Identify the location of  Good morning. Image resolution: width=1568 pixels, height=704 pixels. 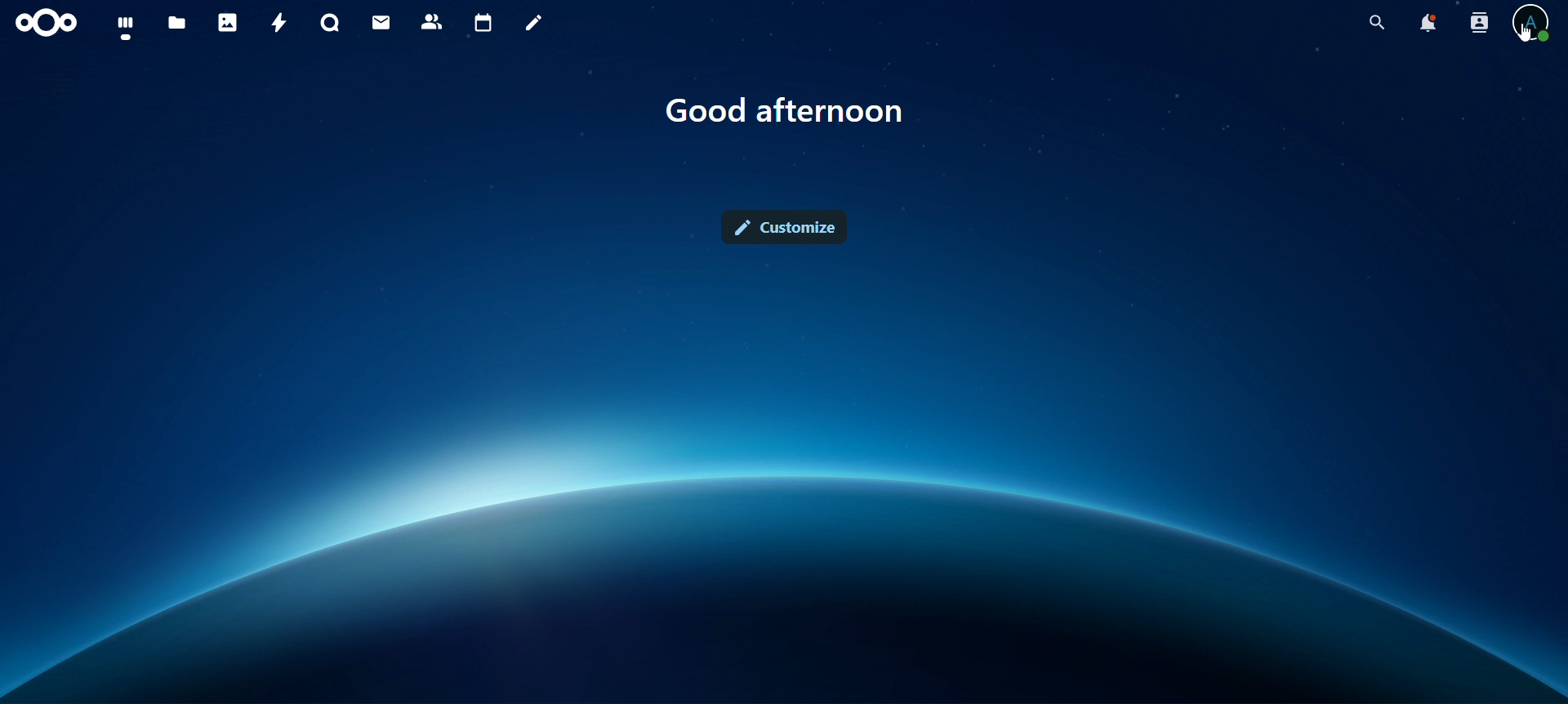
(800, 108).